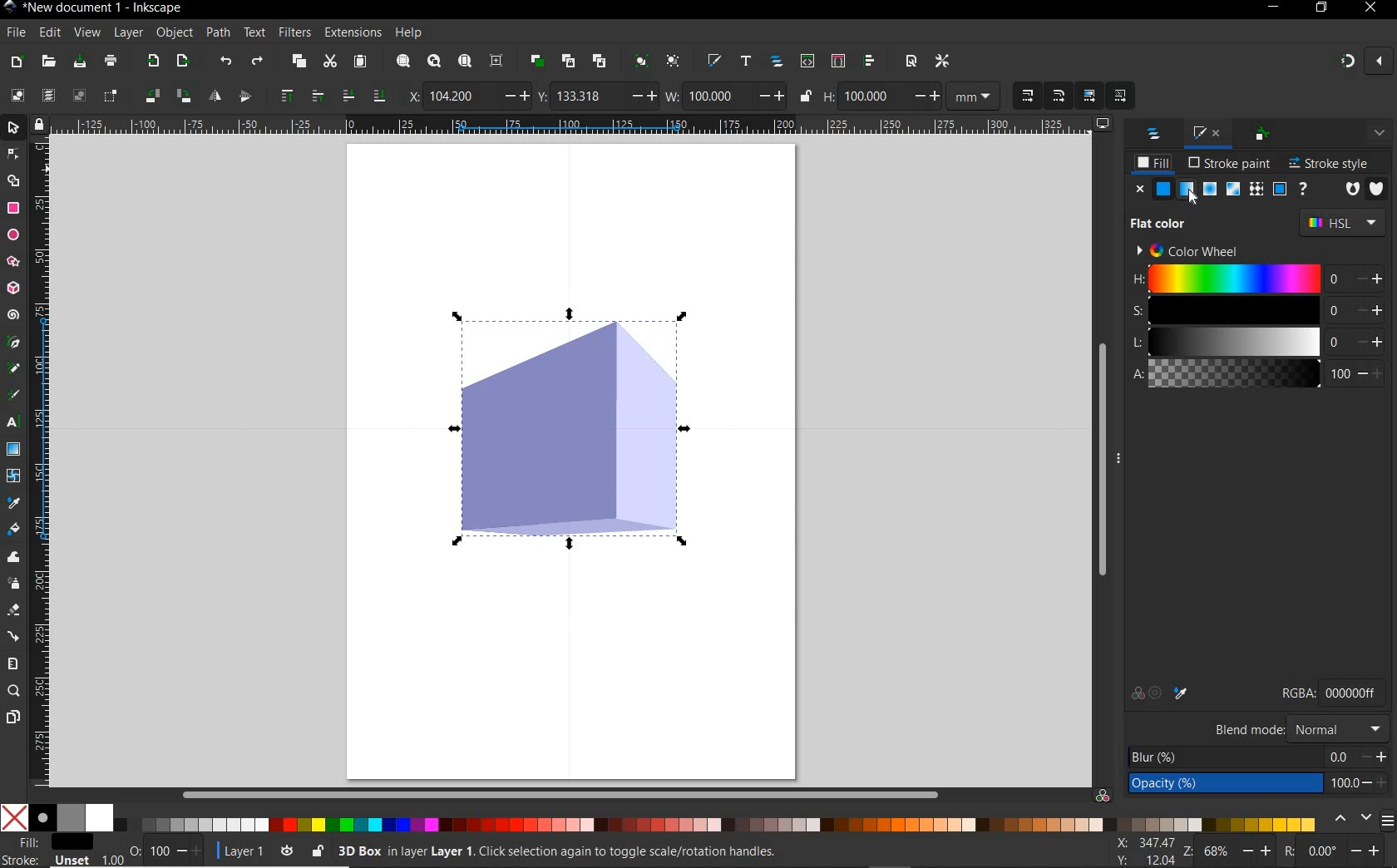 The image size is (1397, 868). Describe the element at coordinates (870, 62) in the screenshot. I see `OPEN ALIGN AND DISTRIBUTE` at that location.